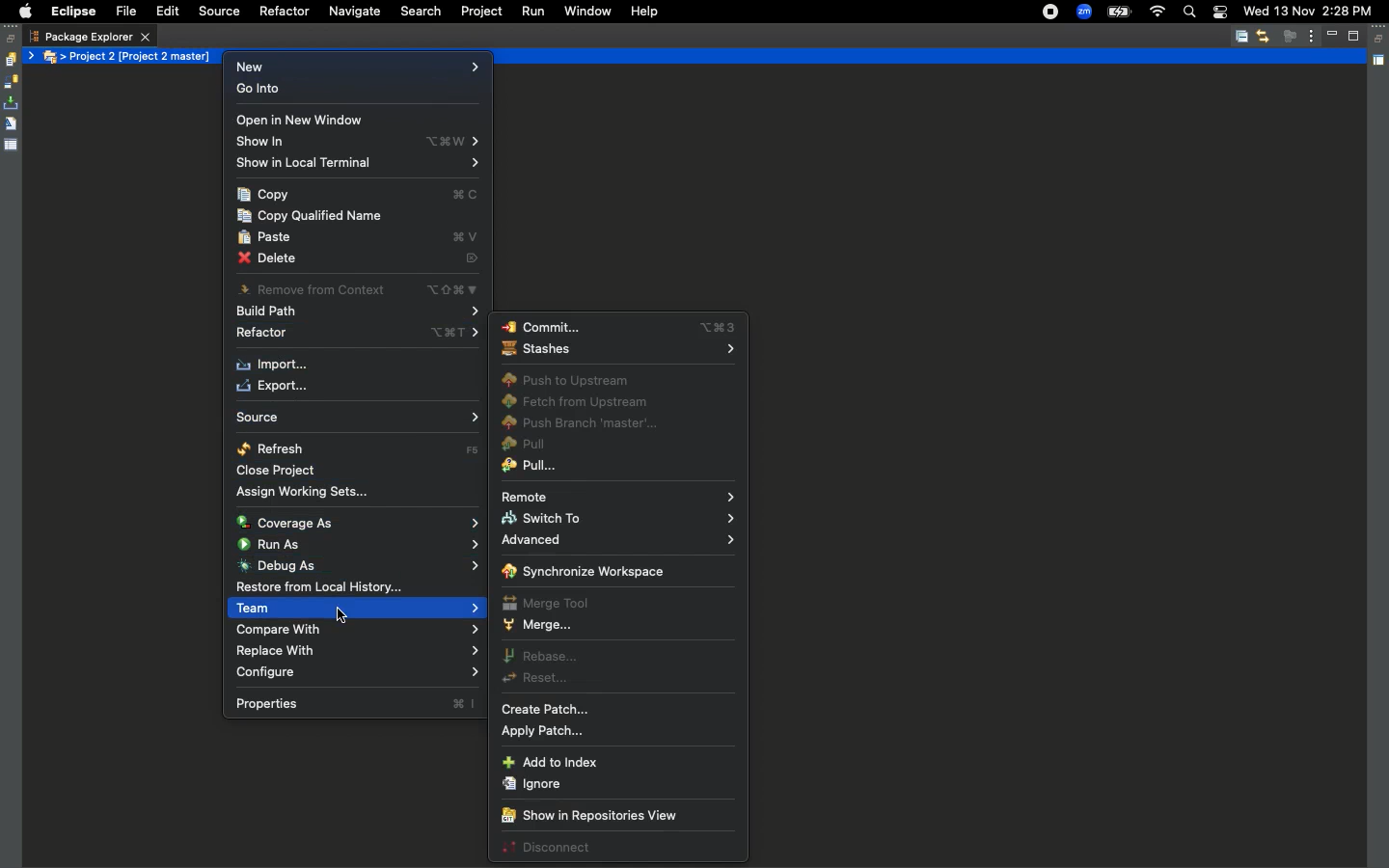 The image size is (1389, 868). Describe the element at coordinates (357, 704) in the screenshot. I see `Properties` at that location.